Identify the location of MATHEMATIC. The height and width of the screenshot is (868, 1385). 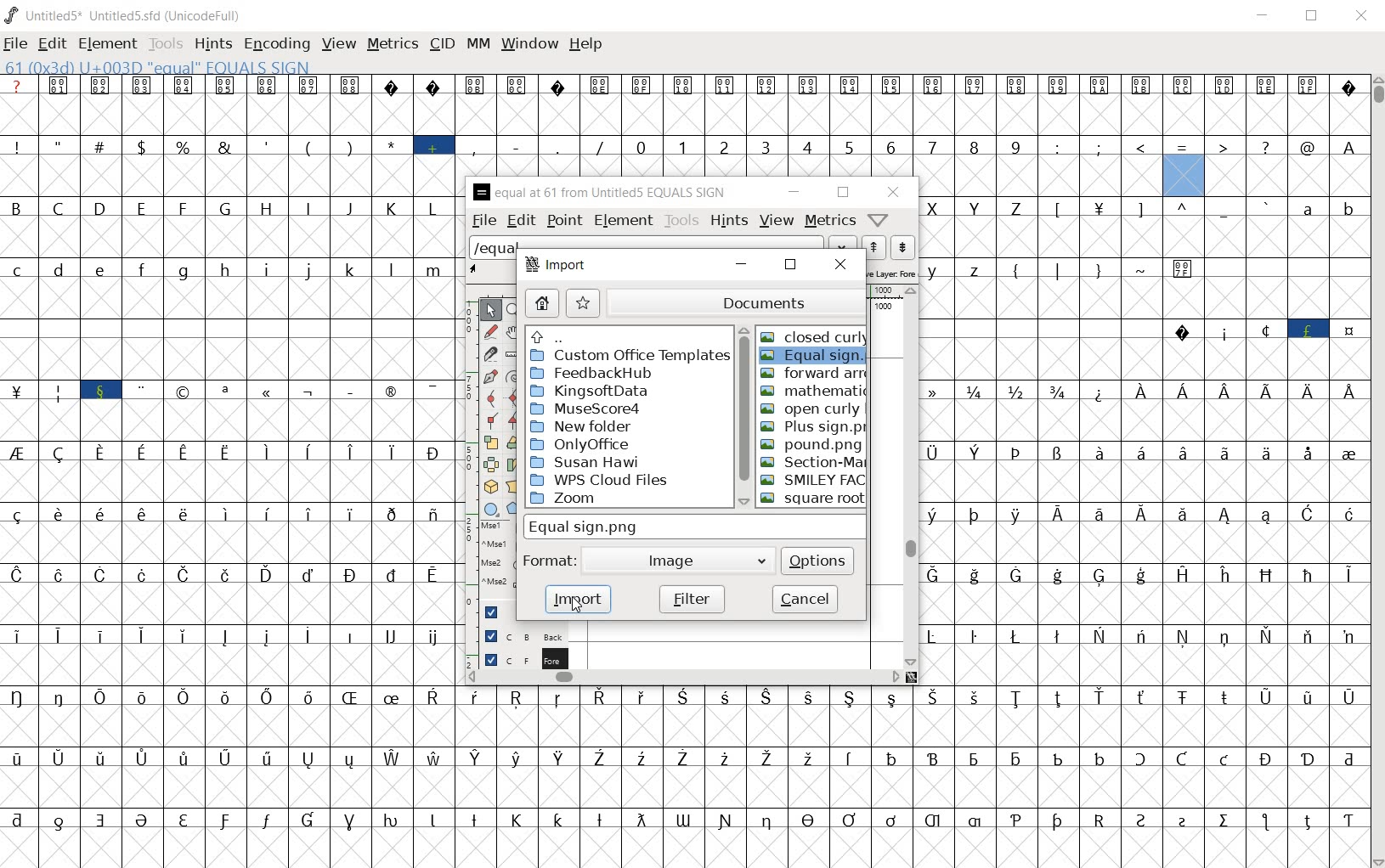
(817, 389).